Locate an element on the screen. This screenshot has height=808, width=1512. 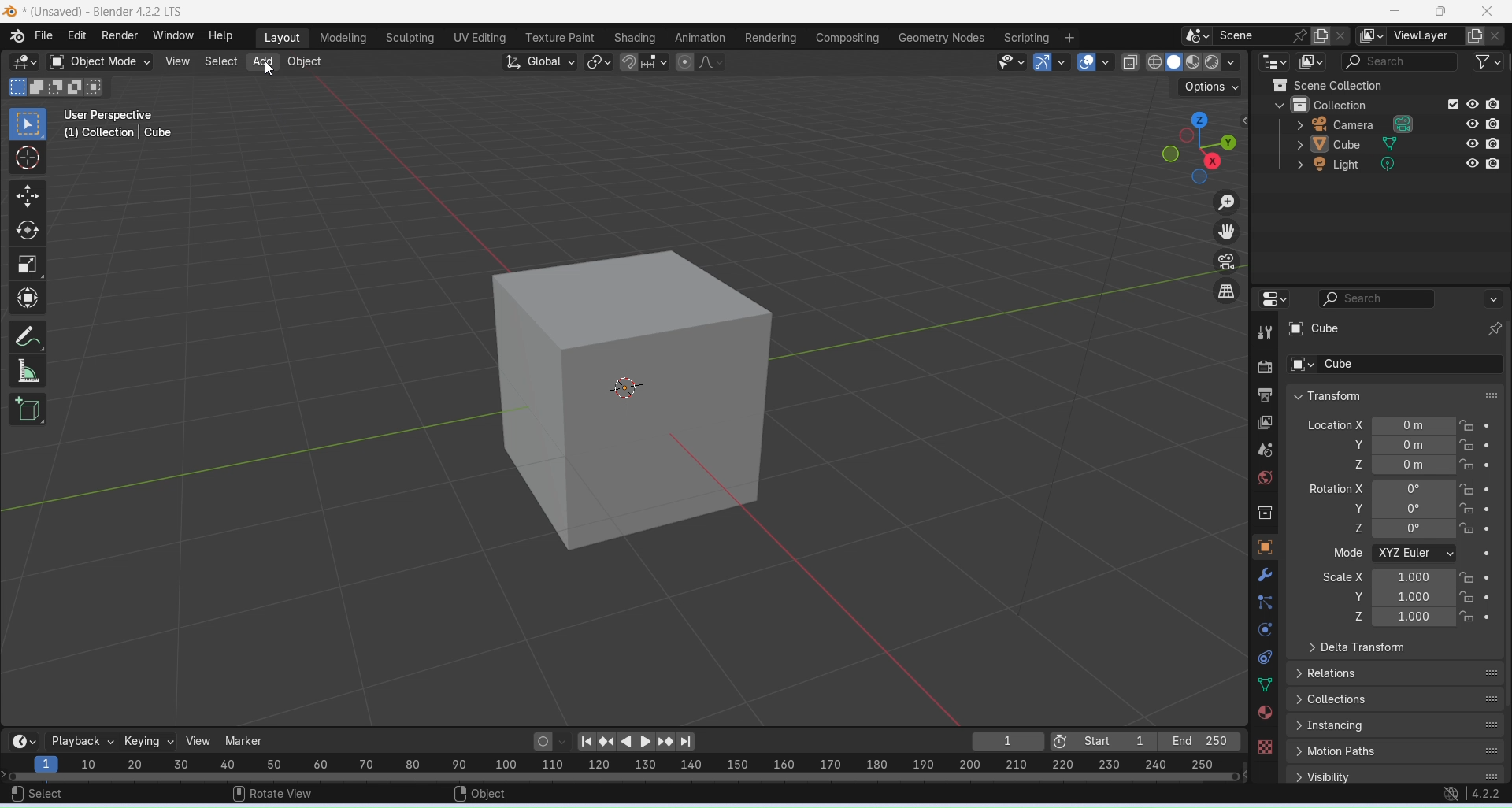
Output is located at coordinates (1263, 395).